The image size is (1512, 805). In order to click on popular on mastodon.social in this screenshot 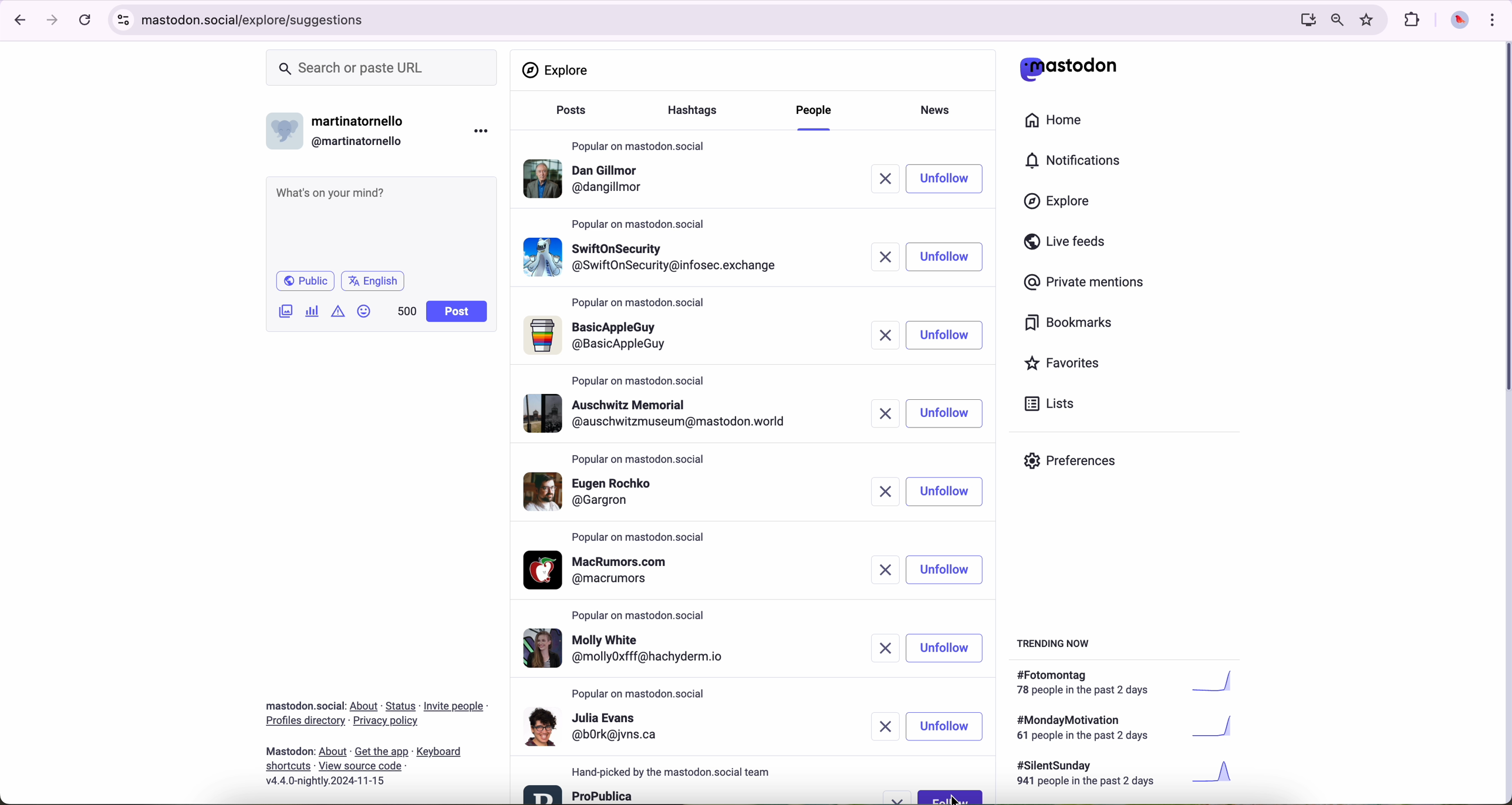, I will do `click(644, 613)`.